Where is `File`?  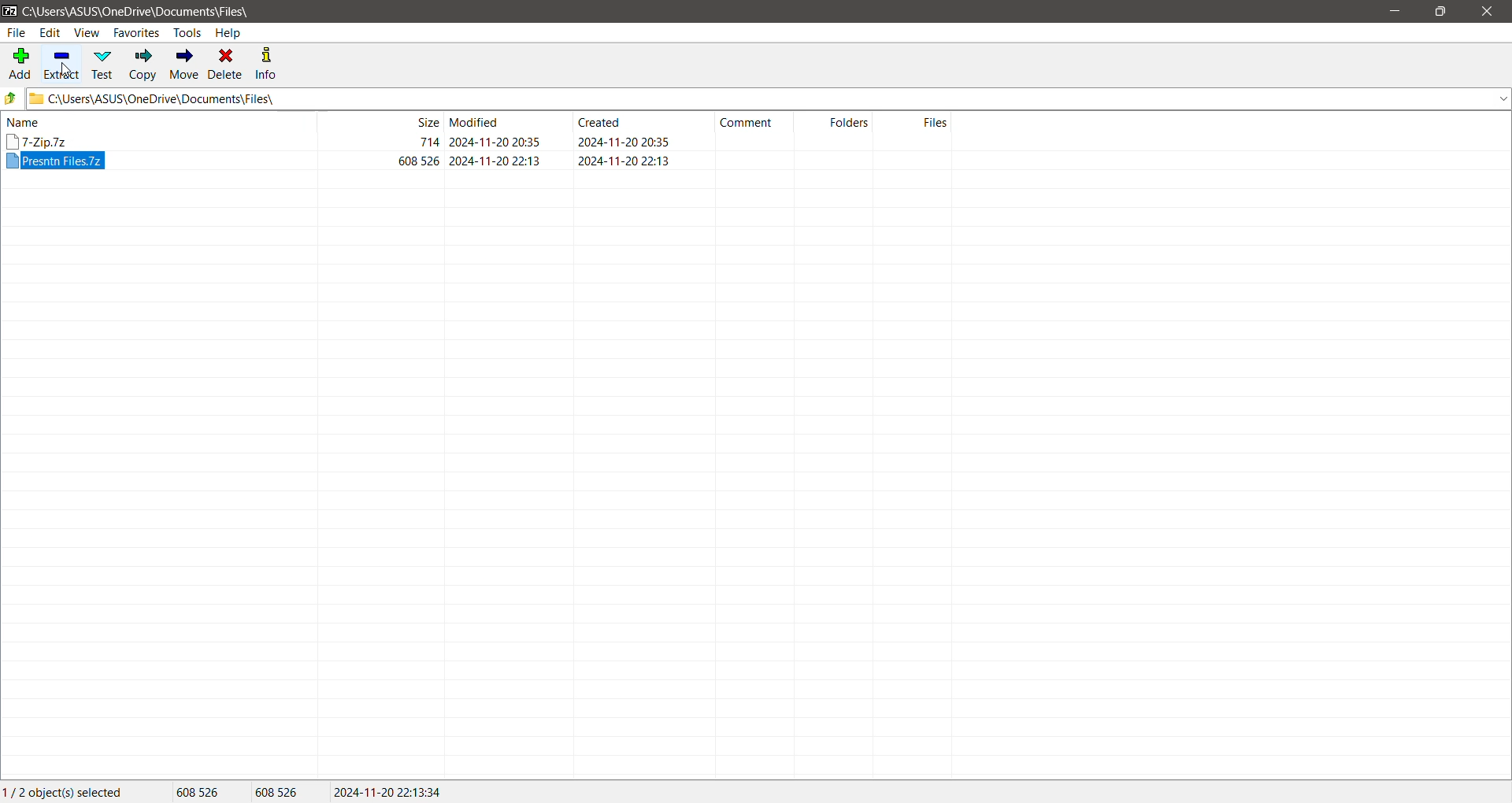
File is located at coordinates (16, 33).